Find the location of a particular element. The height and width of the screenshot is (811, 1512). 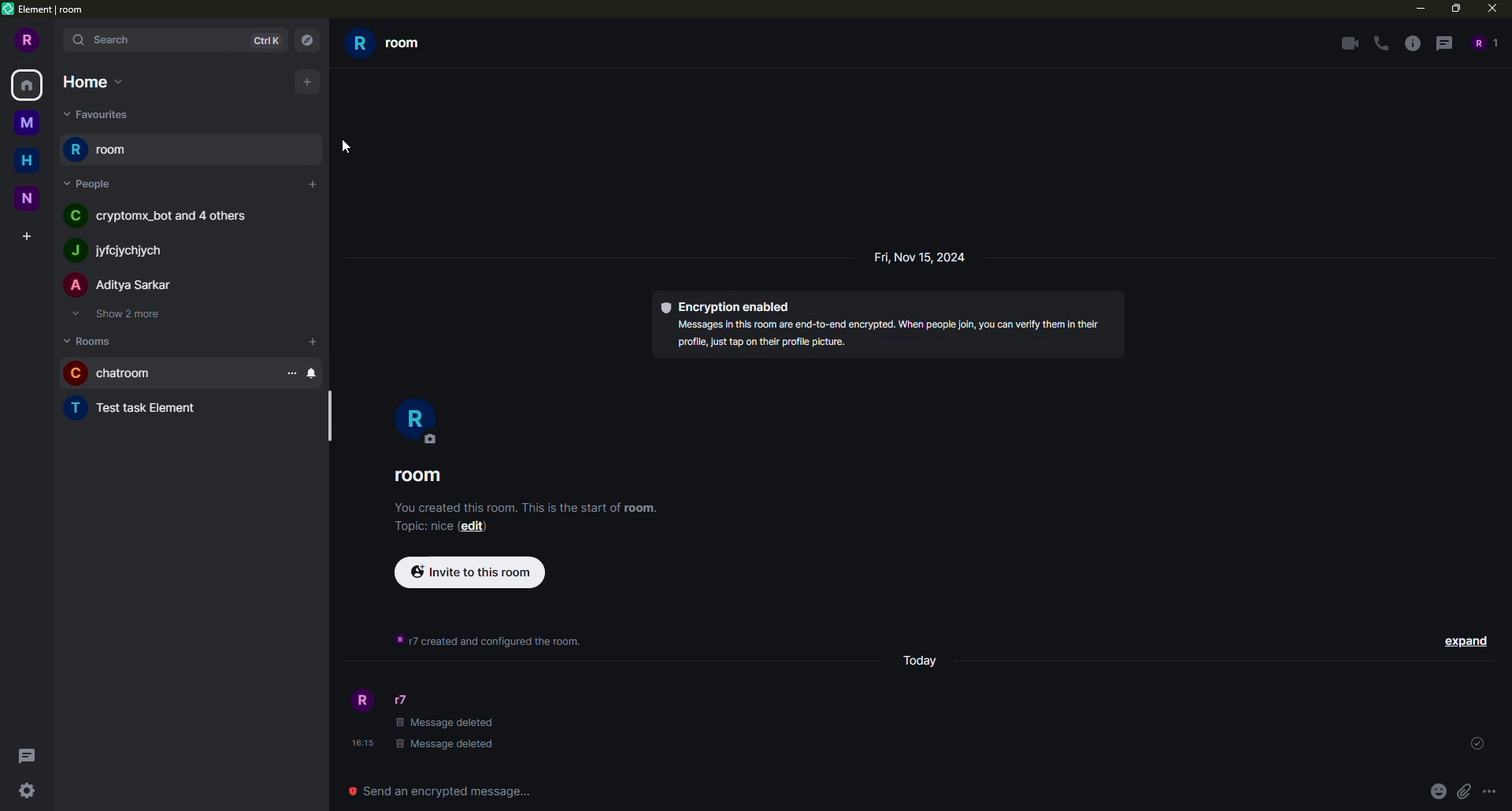

add is located at coordinates (315, 341).